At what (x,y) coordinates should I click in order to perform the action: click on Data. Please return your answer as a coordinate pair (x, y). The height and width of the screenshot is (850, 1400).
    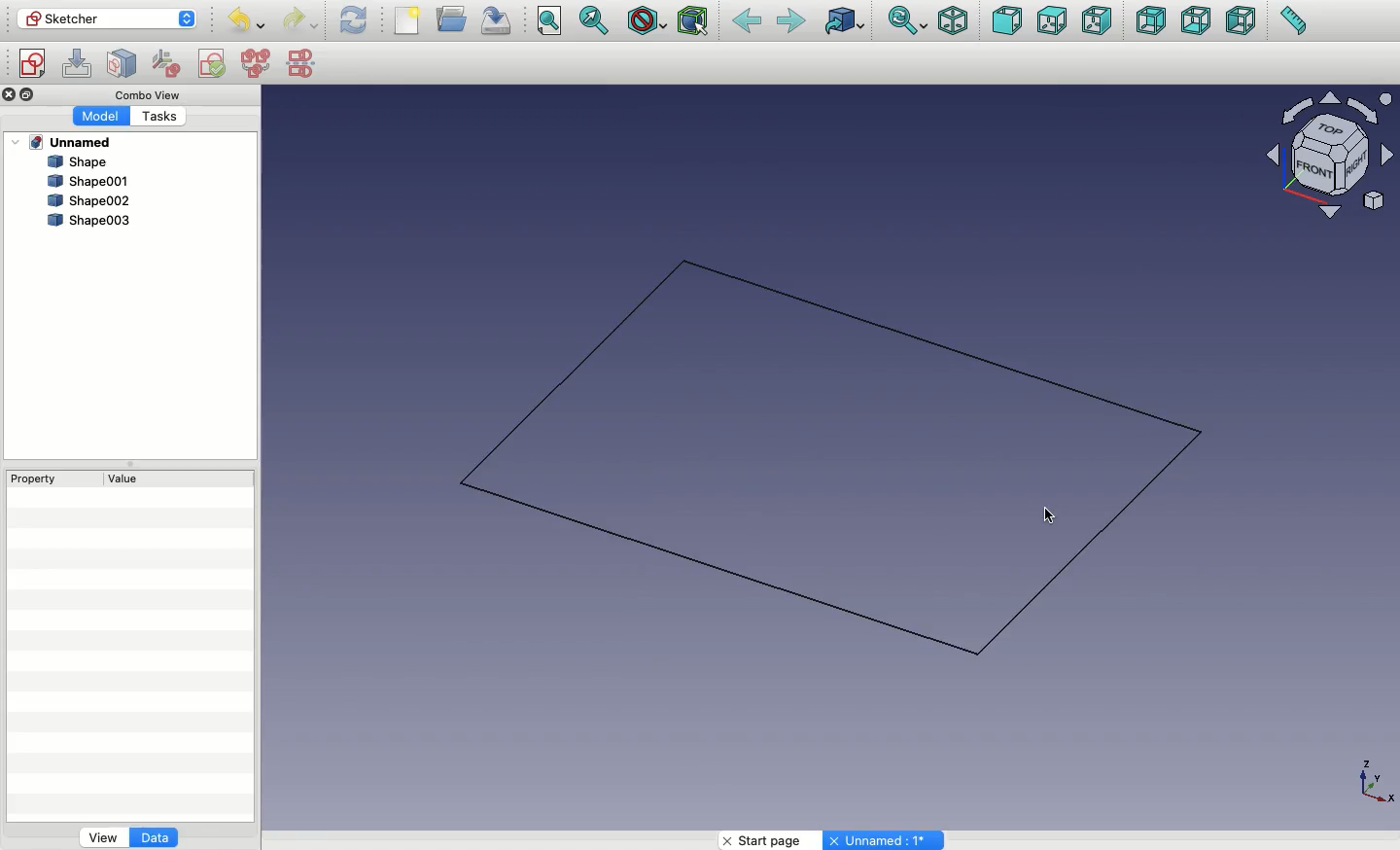
    Looking at the image, I should click on (156, 836).